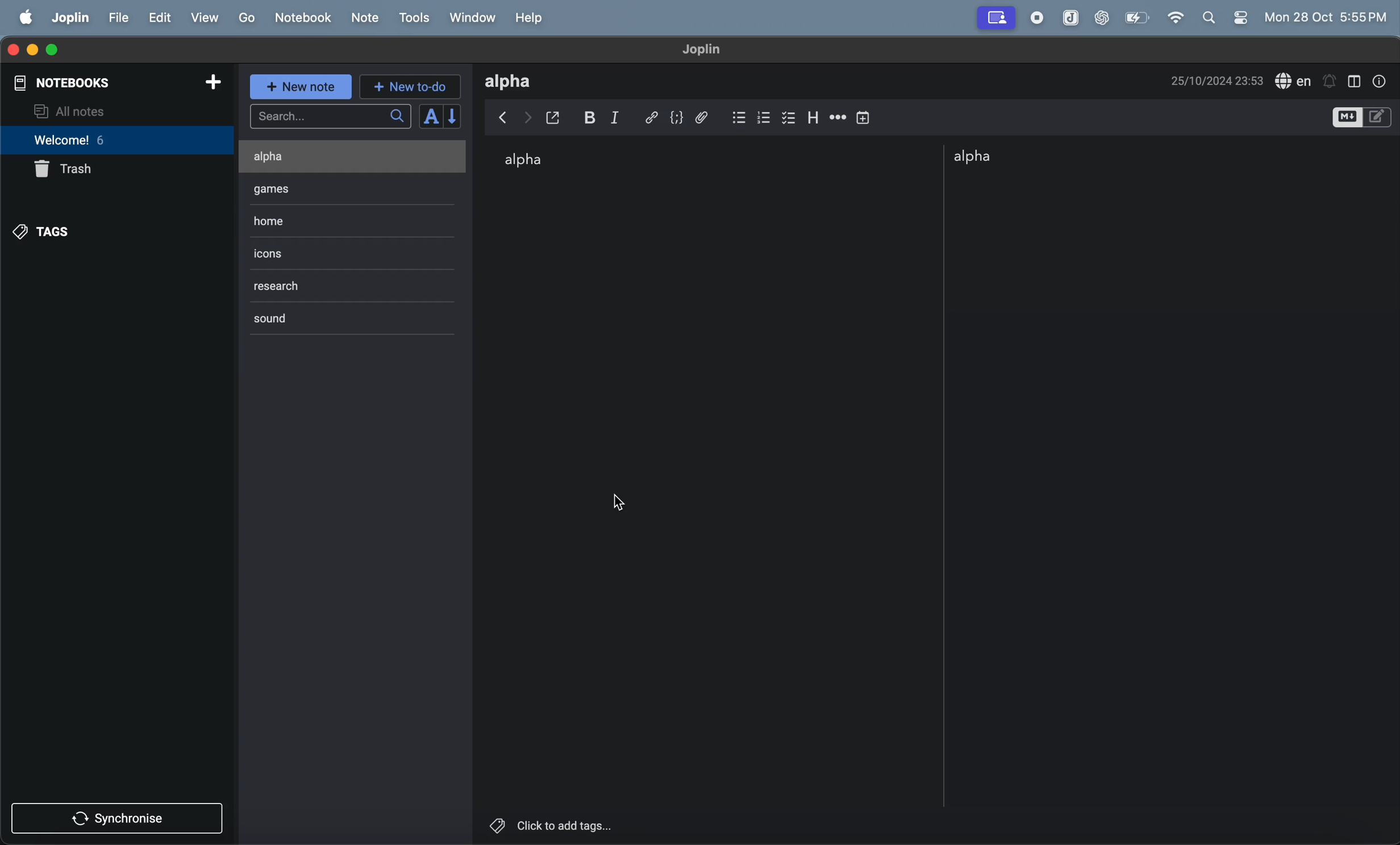  What do you see at coordinates (790, 116) in the screenshot?
I see `check box` at bounding box center [790, 116].